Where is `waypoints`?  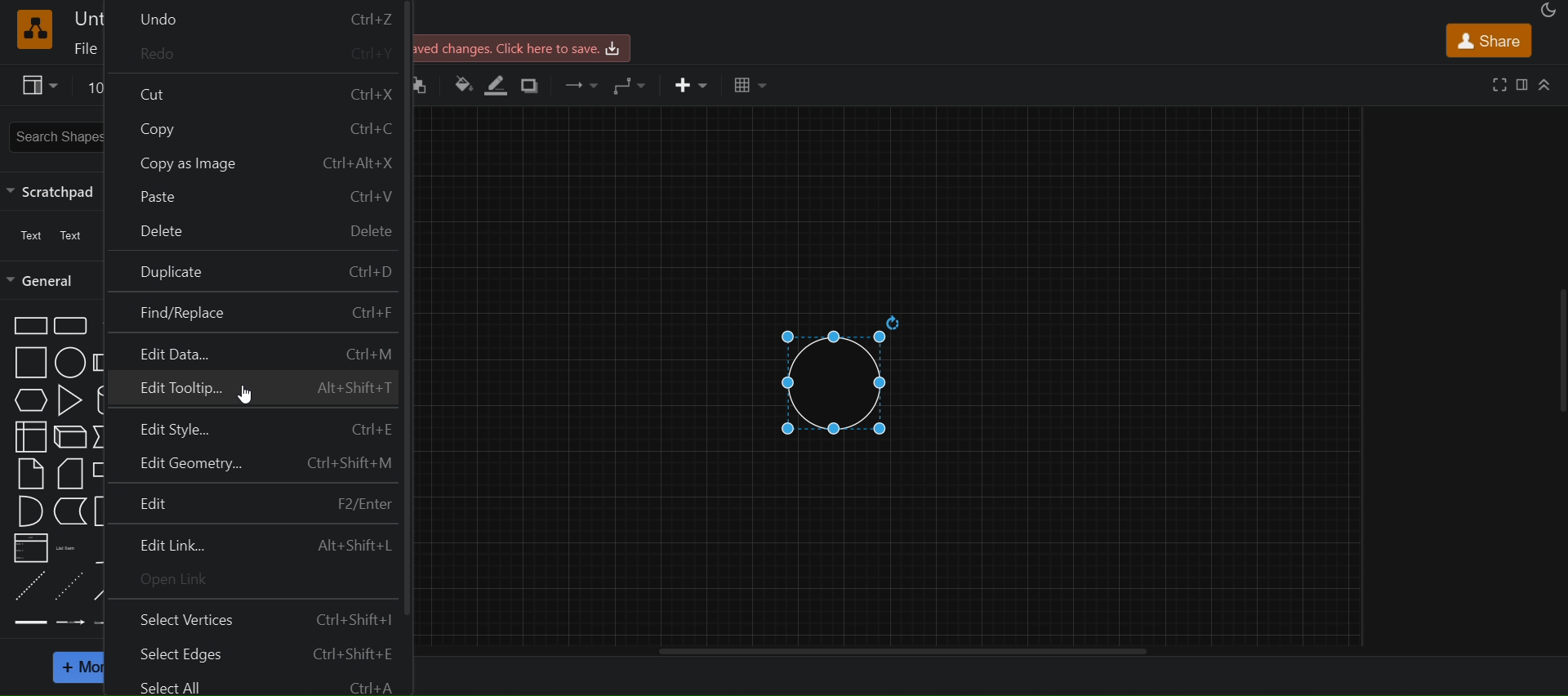 waypoints is located at coordinates (632, 86).